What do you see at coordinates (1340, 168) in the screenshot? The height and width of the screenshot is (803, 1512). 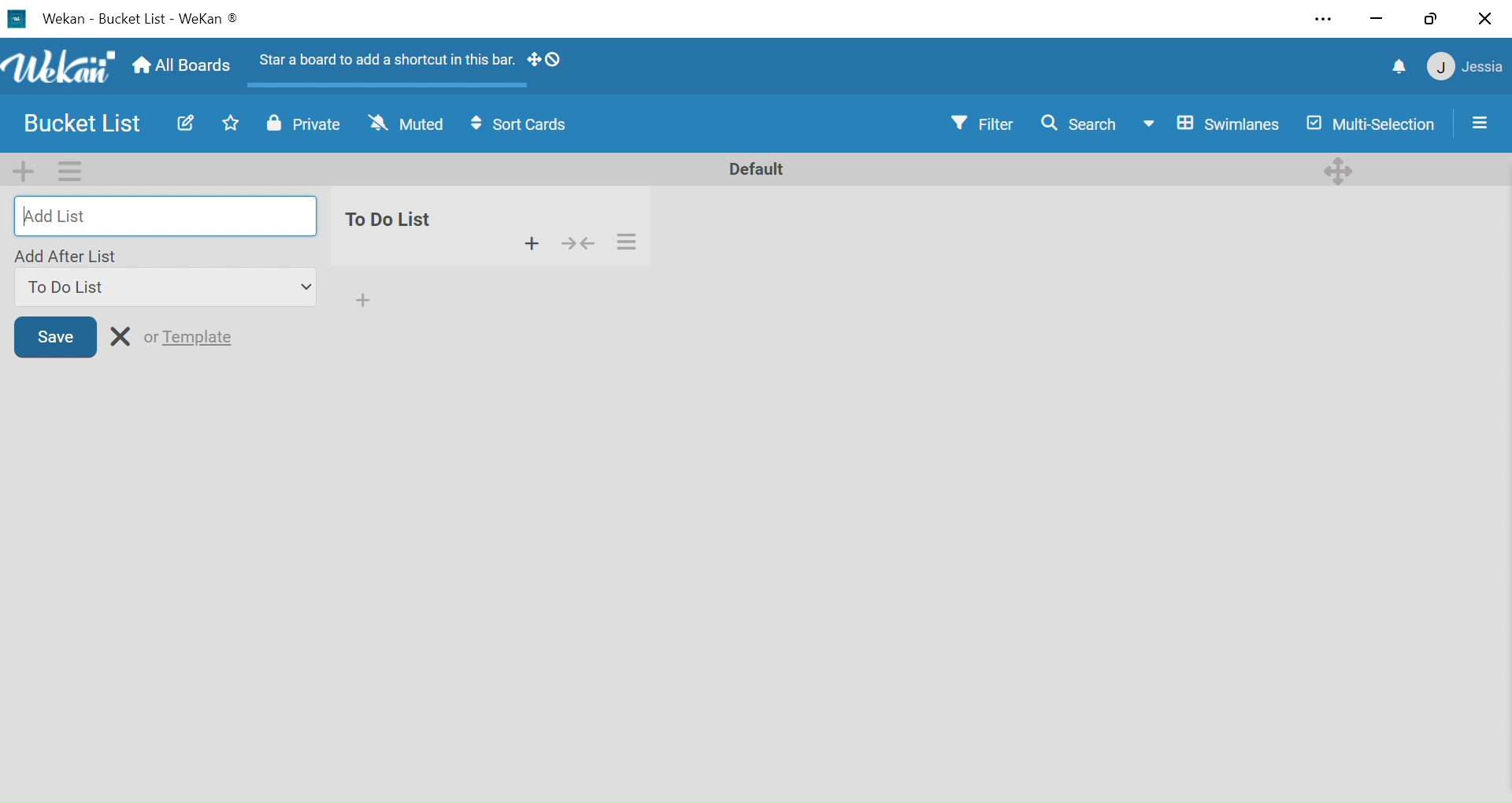 I see `Swimlane handle` at bounding box center [1340, 168].